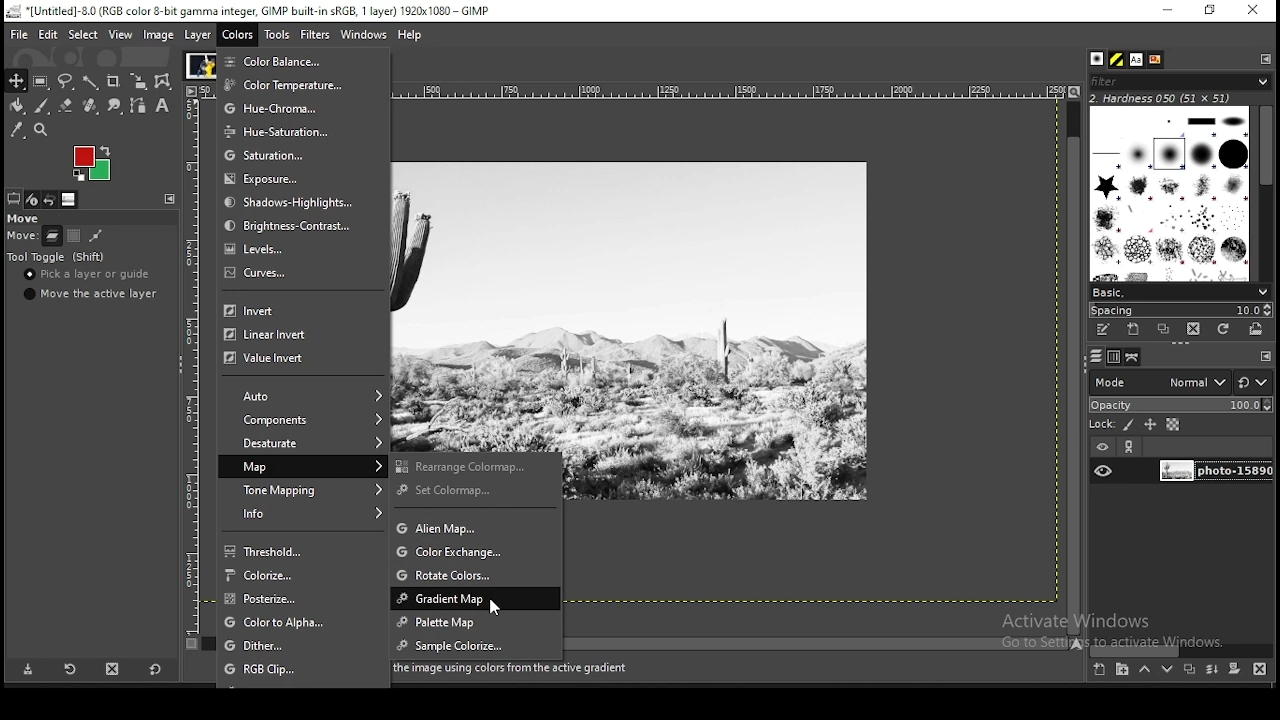 The height and width of the screenshot is (720, 1280). I want to click on patterns, so click(1118, 59).